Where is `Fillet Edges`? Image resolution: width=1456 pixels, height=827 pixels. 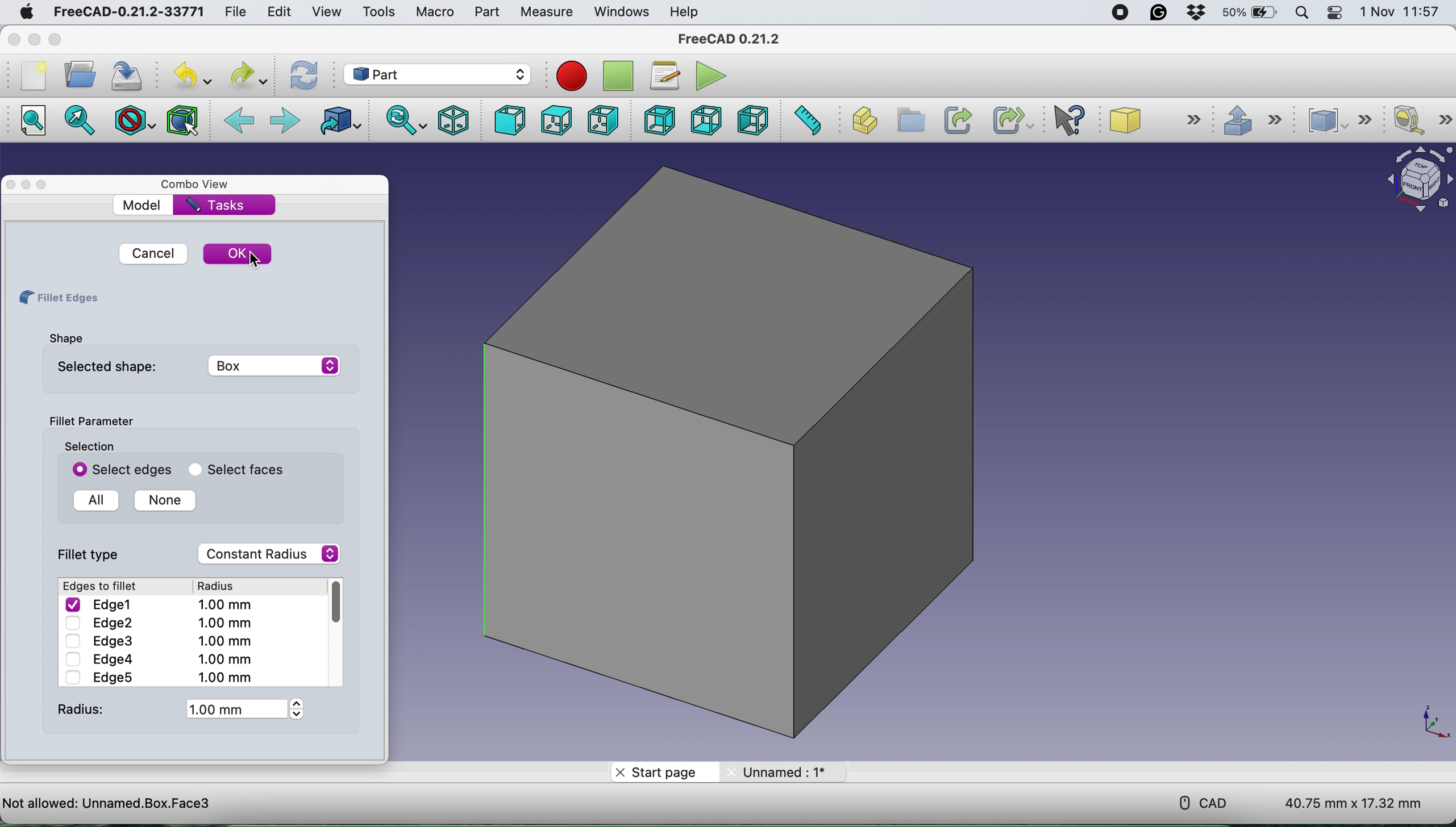 Fillet Edges is located at coordinates (57, 298).